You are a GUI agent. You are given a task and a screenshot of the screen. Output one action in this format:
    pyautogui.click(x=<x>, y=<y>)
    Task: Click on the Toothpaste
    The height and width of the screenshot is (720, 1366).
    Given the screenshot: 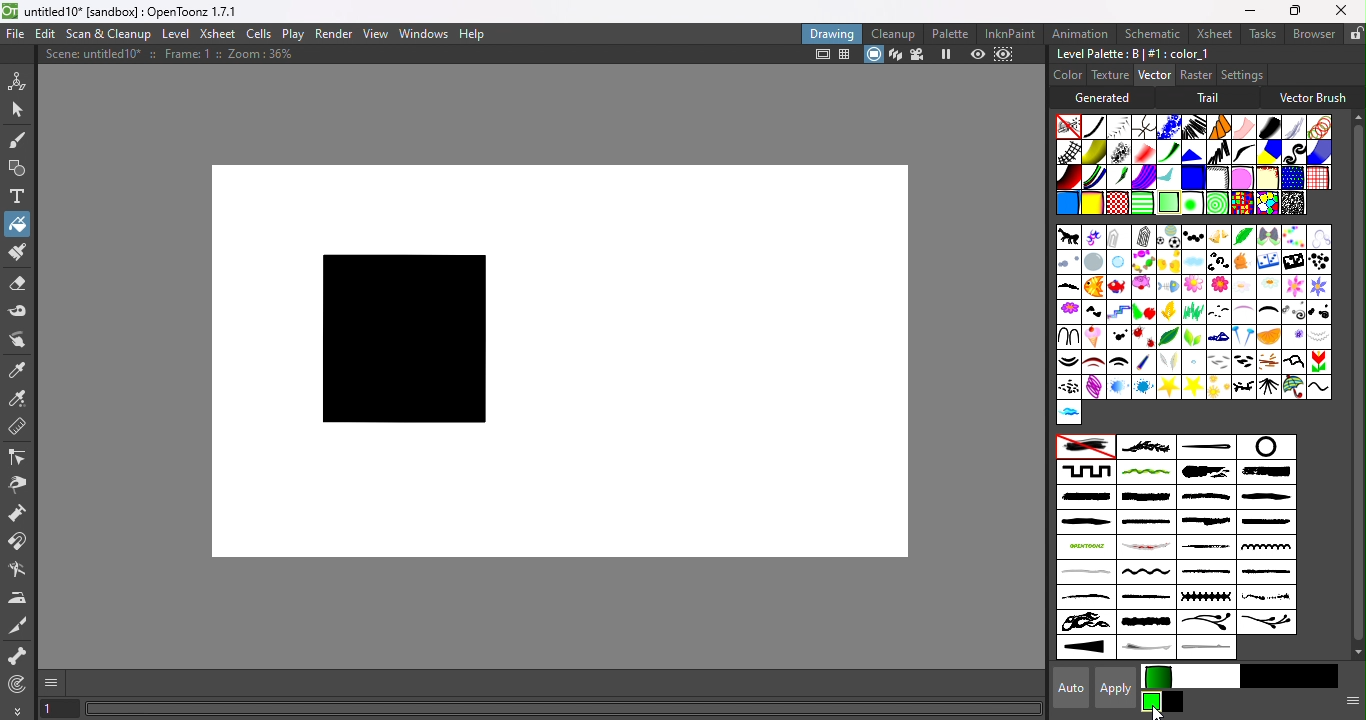 What is the action you would take?
    pyautogui.click(x=1144, y=178)
    